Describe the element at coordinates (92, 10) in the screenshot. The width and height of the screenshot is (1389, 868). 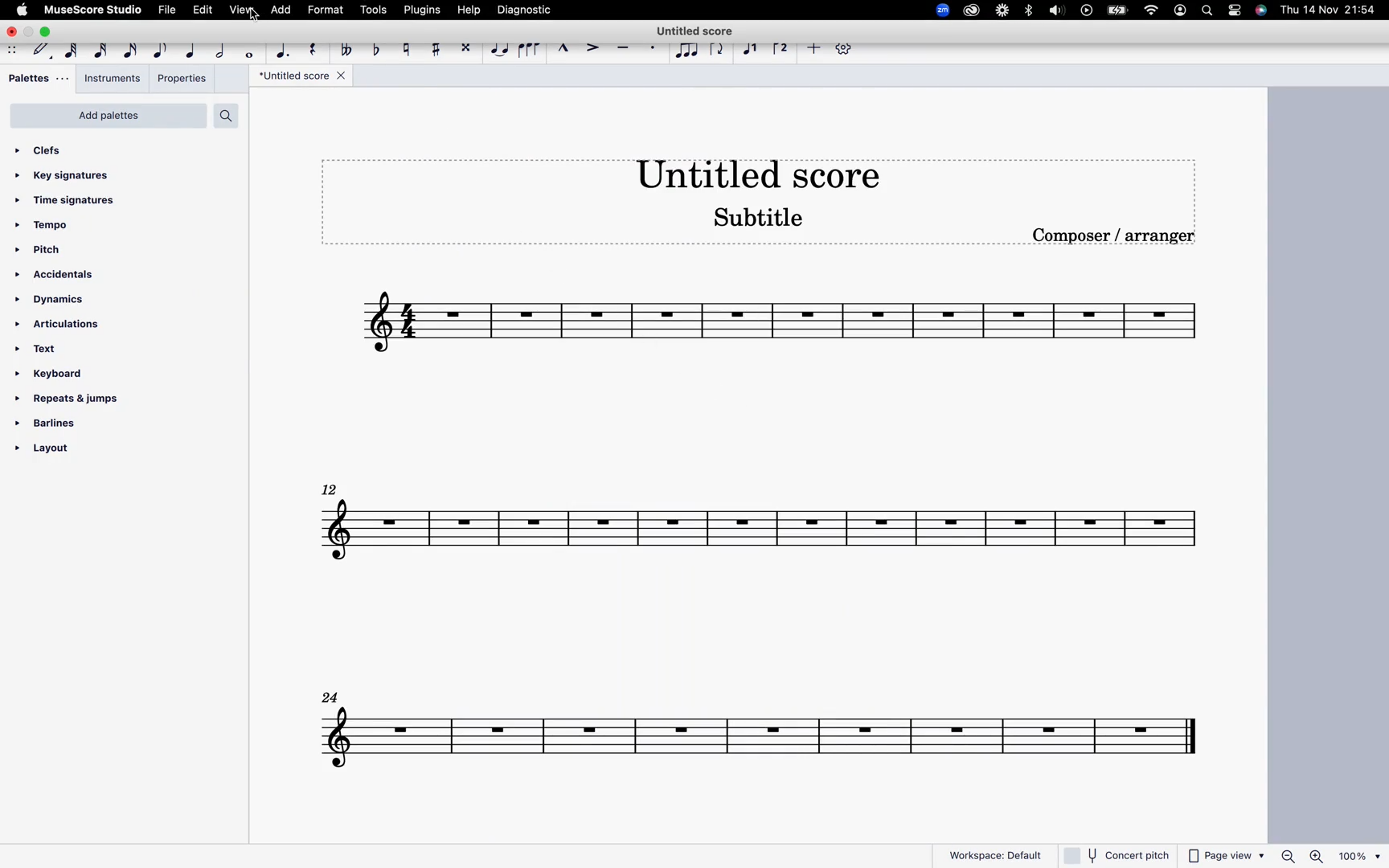
I see `musescore studio` at that location.